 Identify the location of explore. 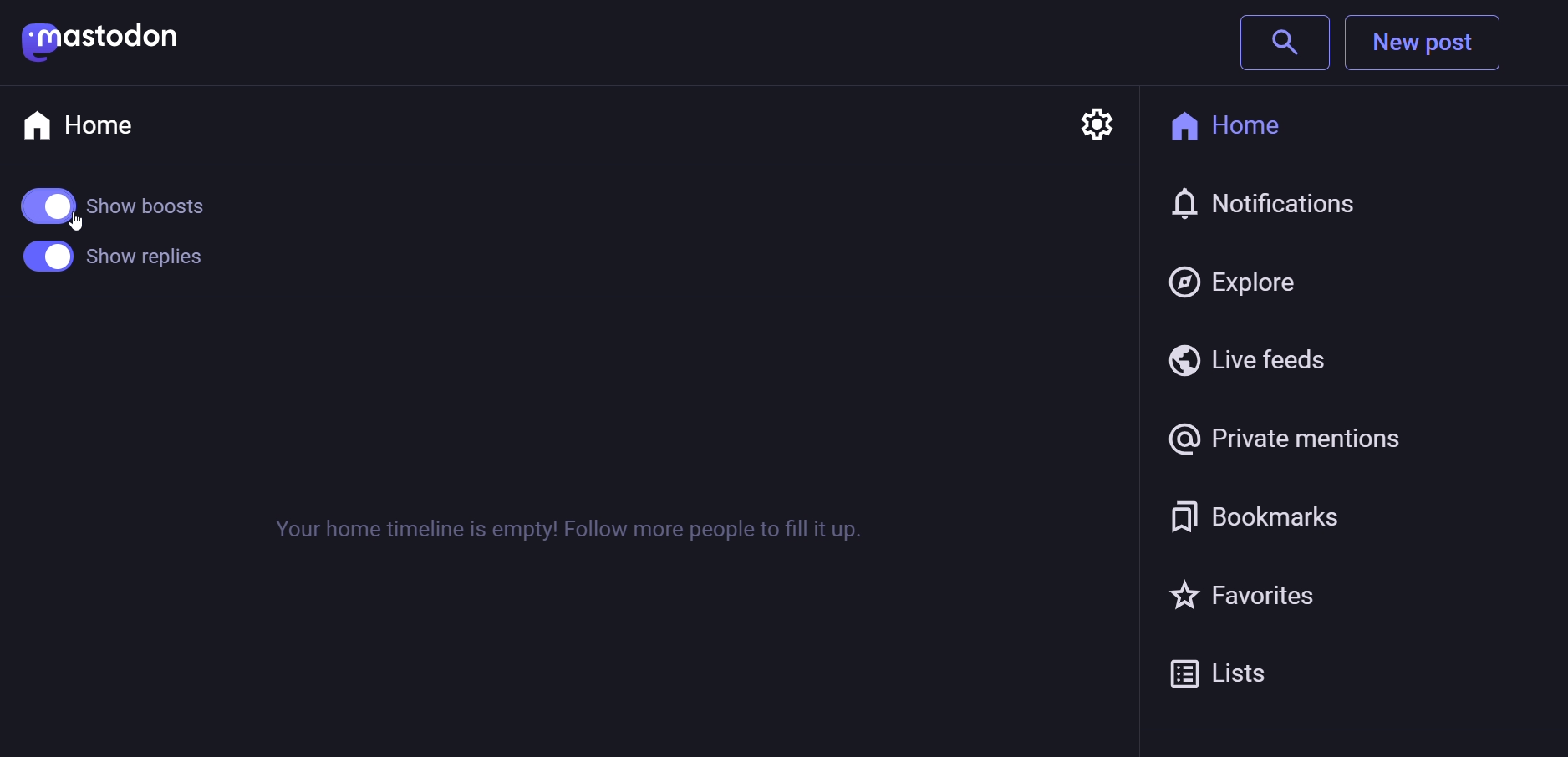
(1240, 276).